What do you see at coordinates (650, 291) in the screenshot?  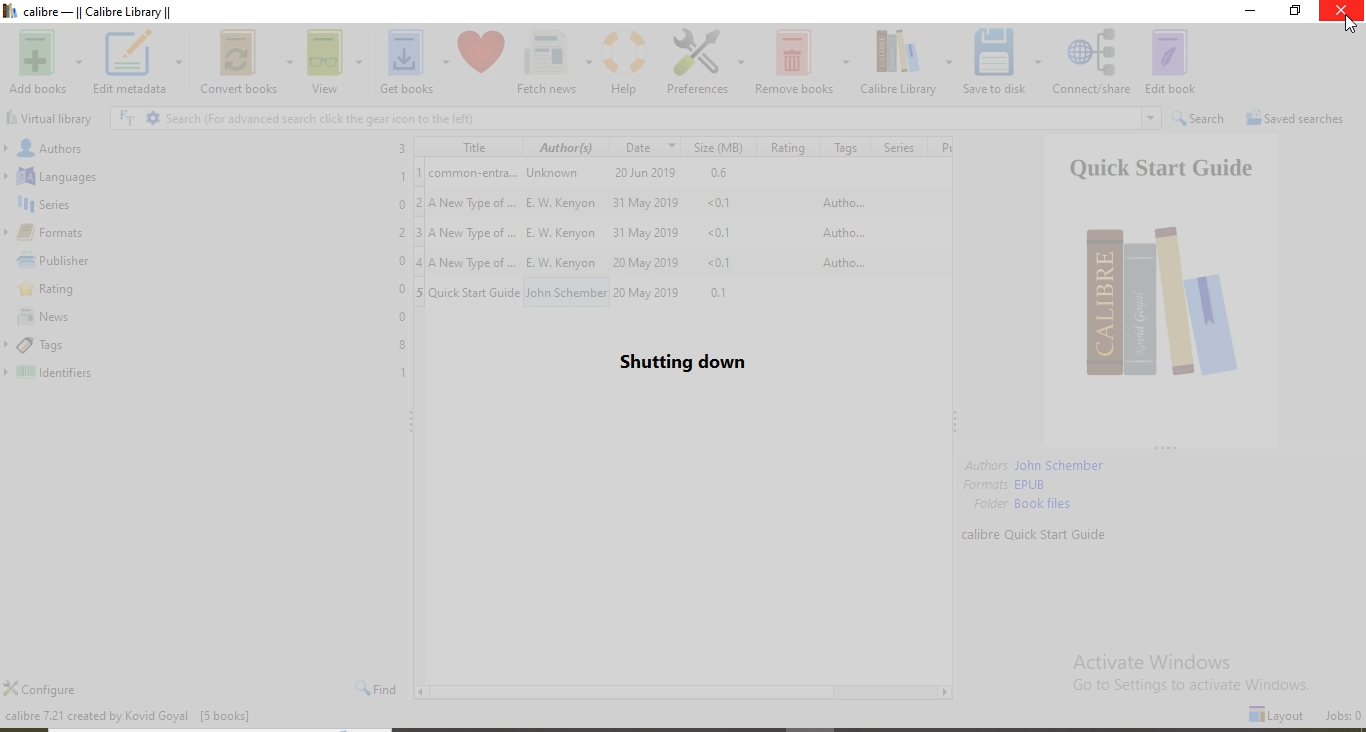 I see `20 May 2019` at bounding box center [650, 291].